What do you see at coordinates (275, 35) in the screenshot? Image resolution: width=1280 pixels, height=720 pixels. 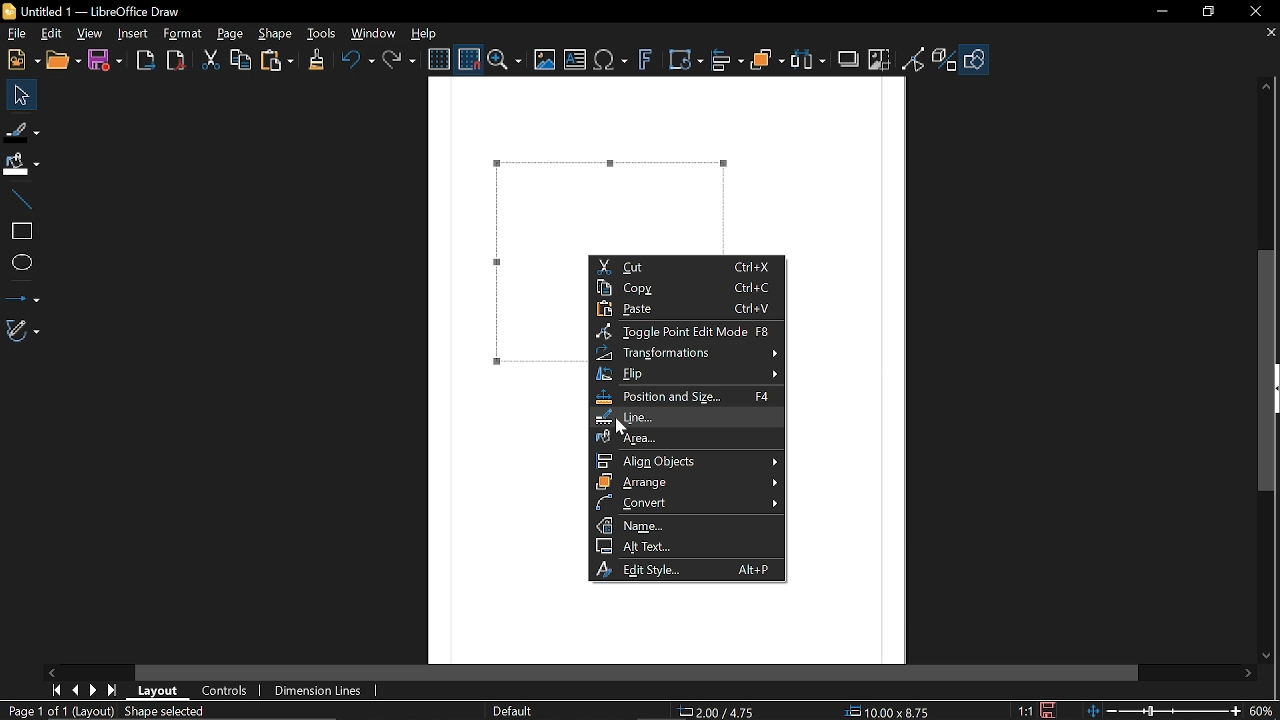 I see `Shape` at bounding box center [275, 35].